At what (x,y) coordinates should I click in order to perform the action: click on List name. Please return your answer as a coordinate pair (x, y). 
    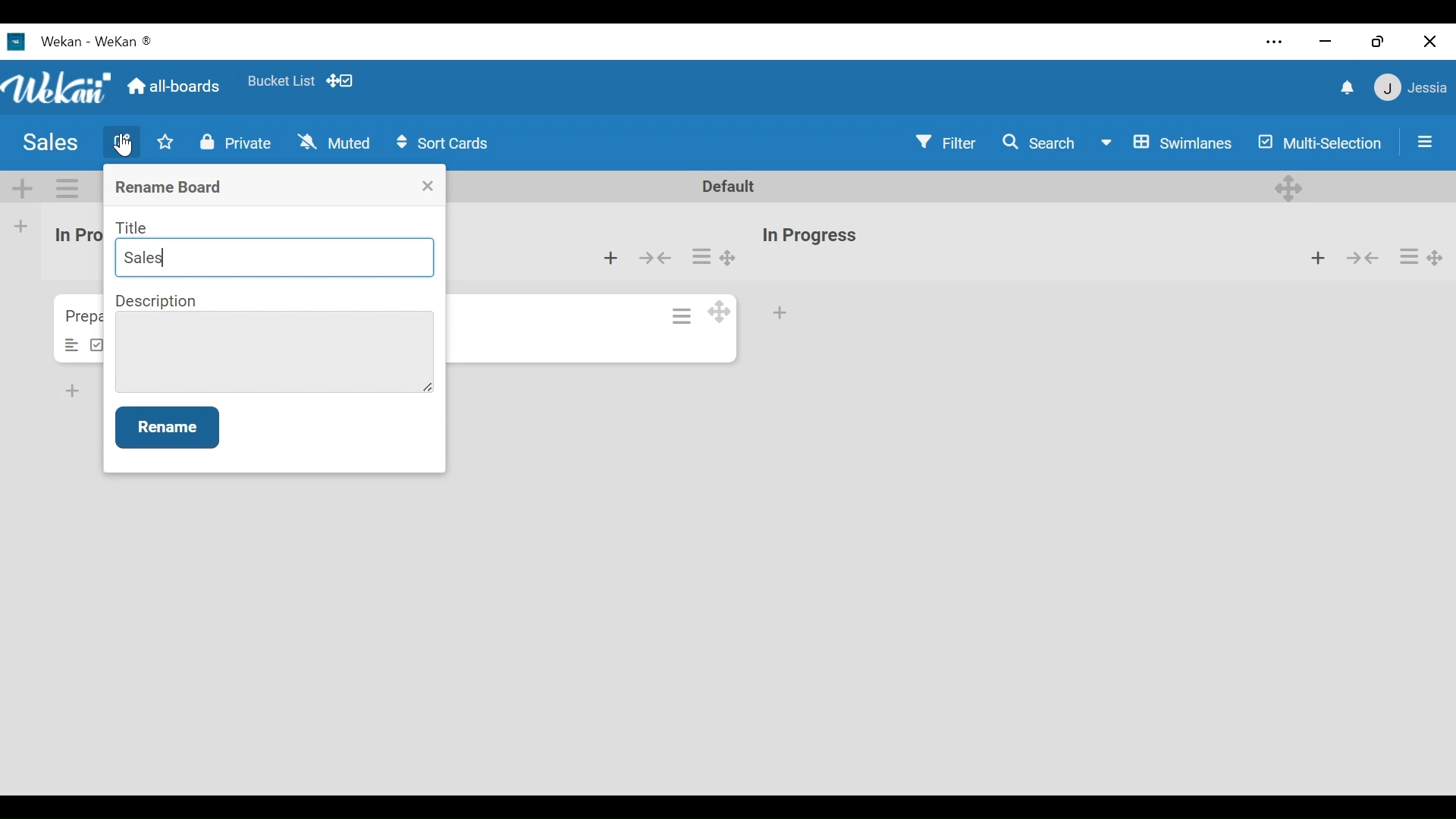
    Looking at the image, I should click on (808, 237).